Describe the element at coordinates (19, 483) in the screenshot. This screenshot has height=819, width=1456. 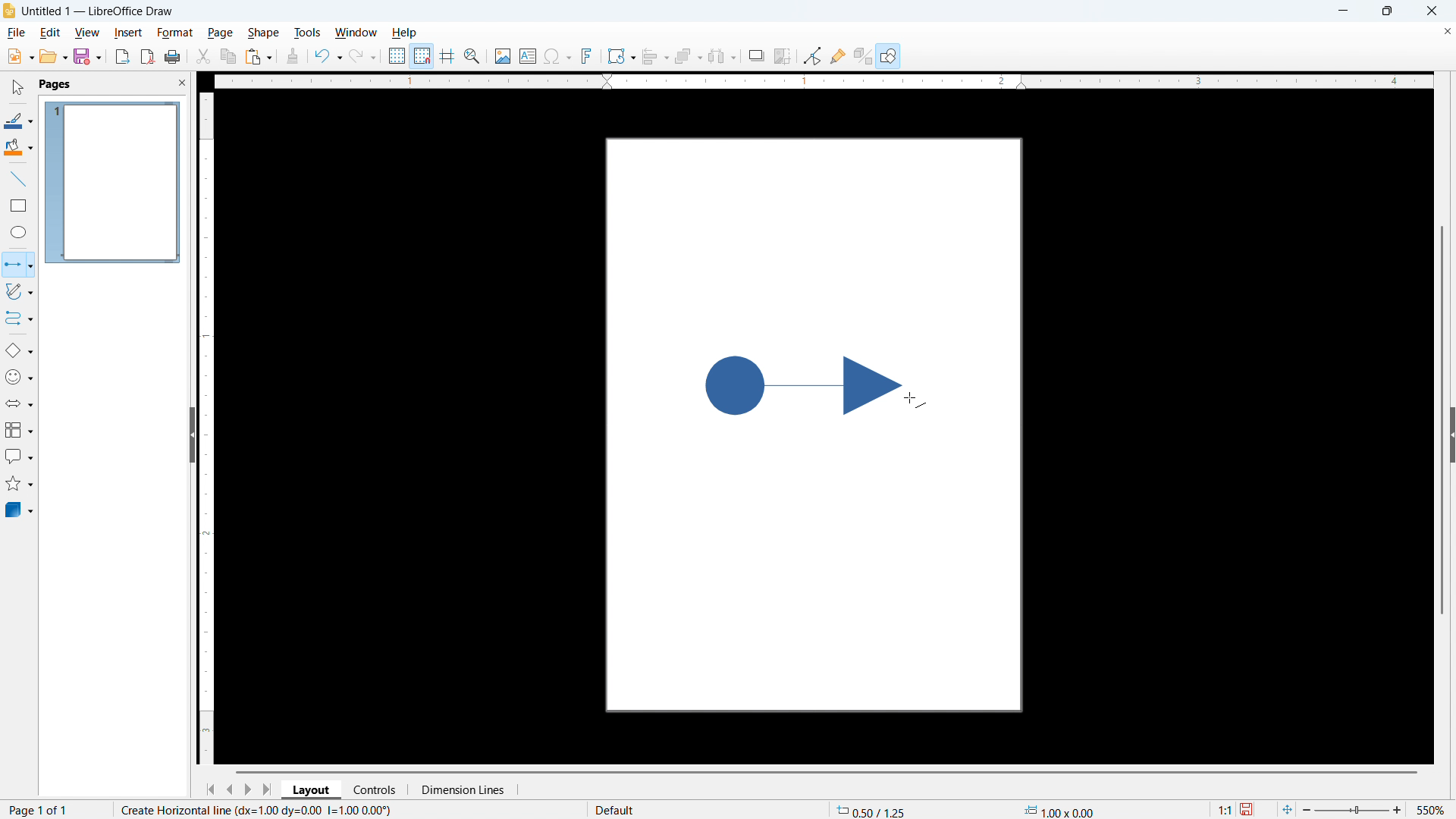
I see `stars & banners` at that location.